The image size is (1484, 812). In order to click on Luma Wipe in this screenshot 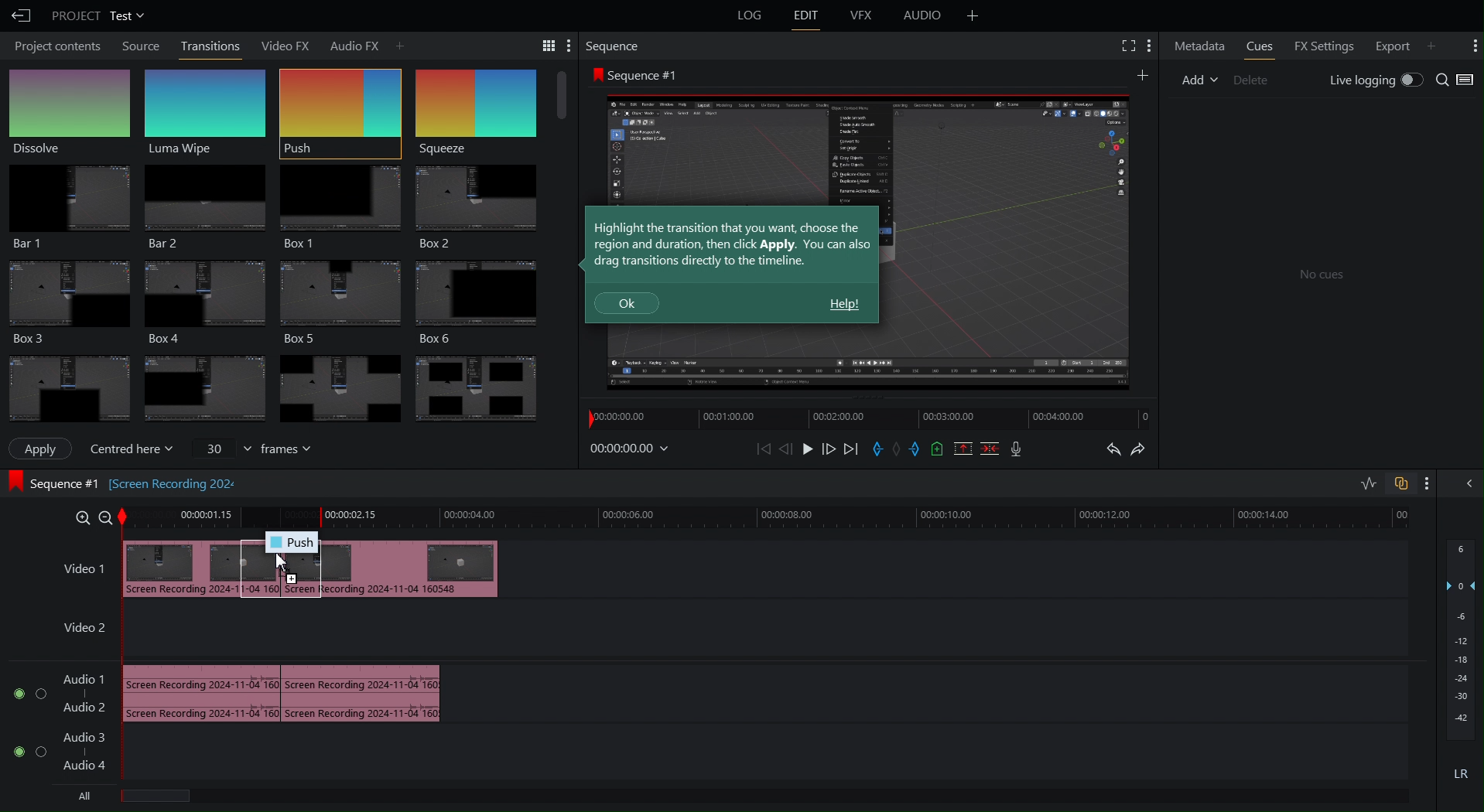, I will do `click(207, 111)`.